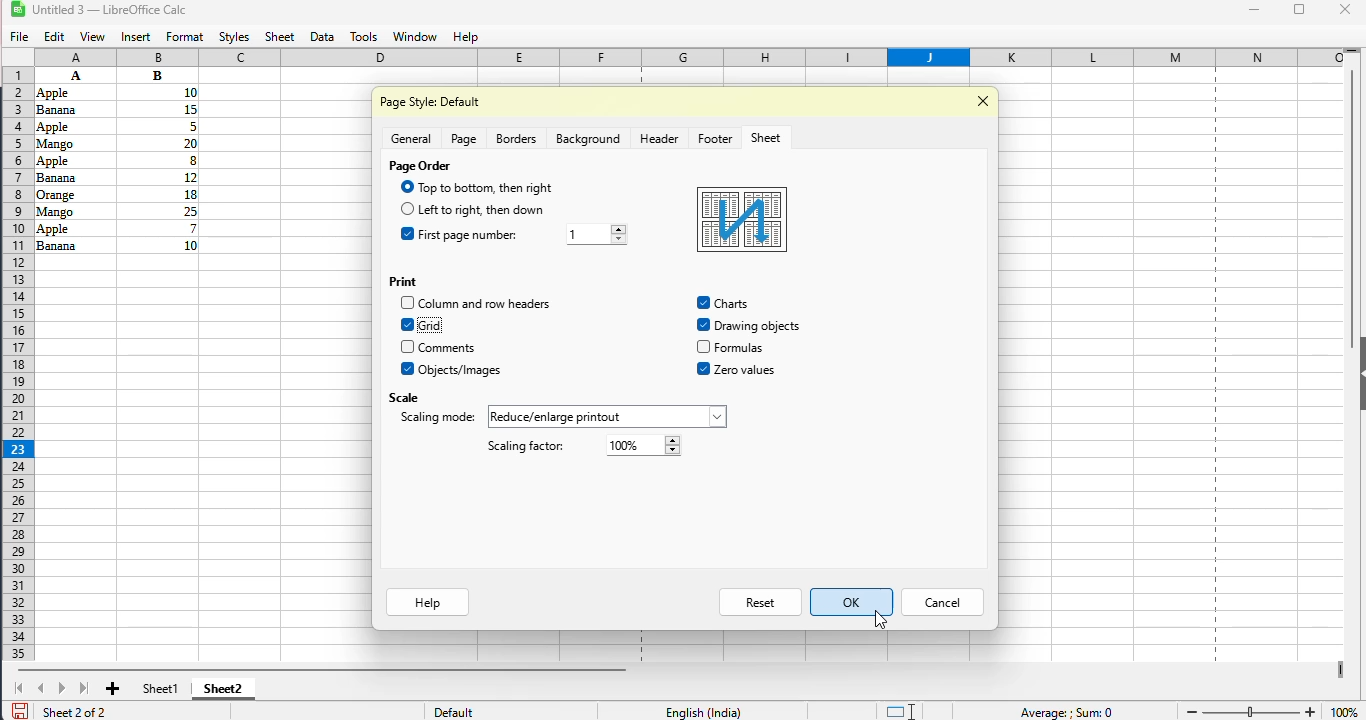  Describe the element at coordinates (704, 302) in the screenshot. I see `charts` at that location.